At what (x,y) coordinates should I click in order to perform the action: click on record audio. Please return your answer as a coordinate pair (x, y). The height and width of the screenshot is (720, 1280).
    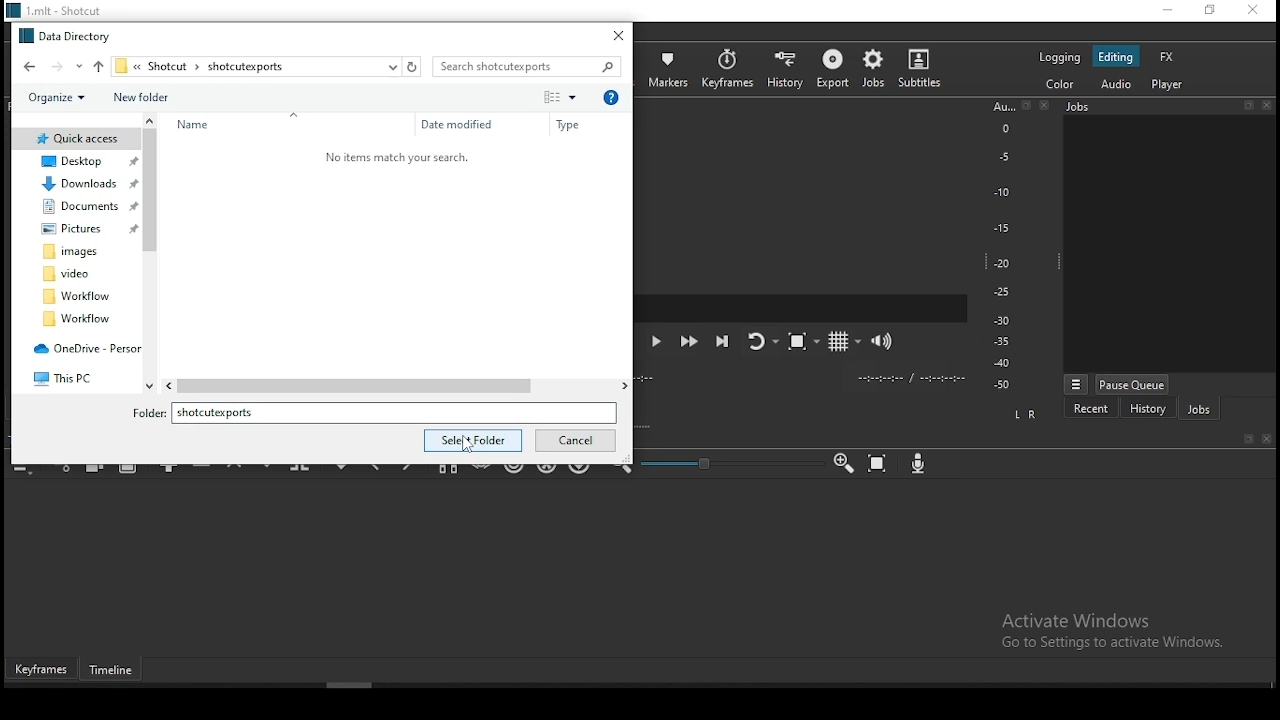
    Looking at the image, I should click on (919, 465).